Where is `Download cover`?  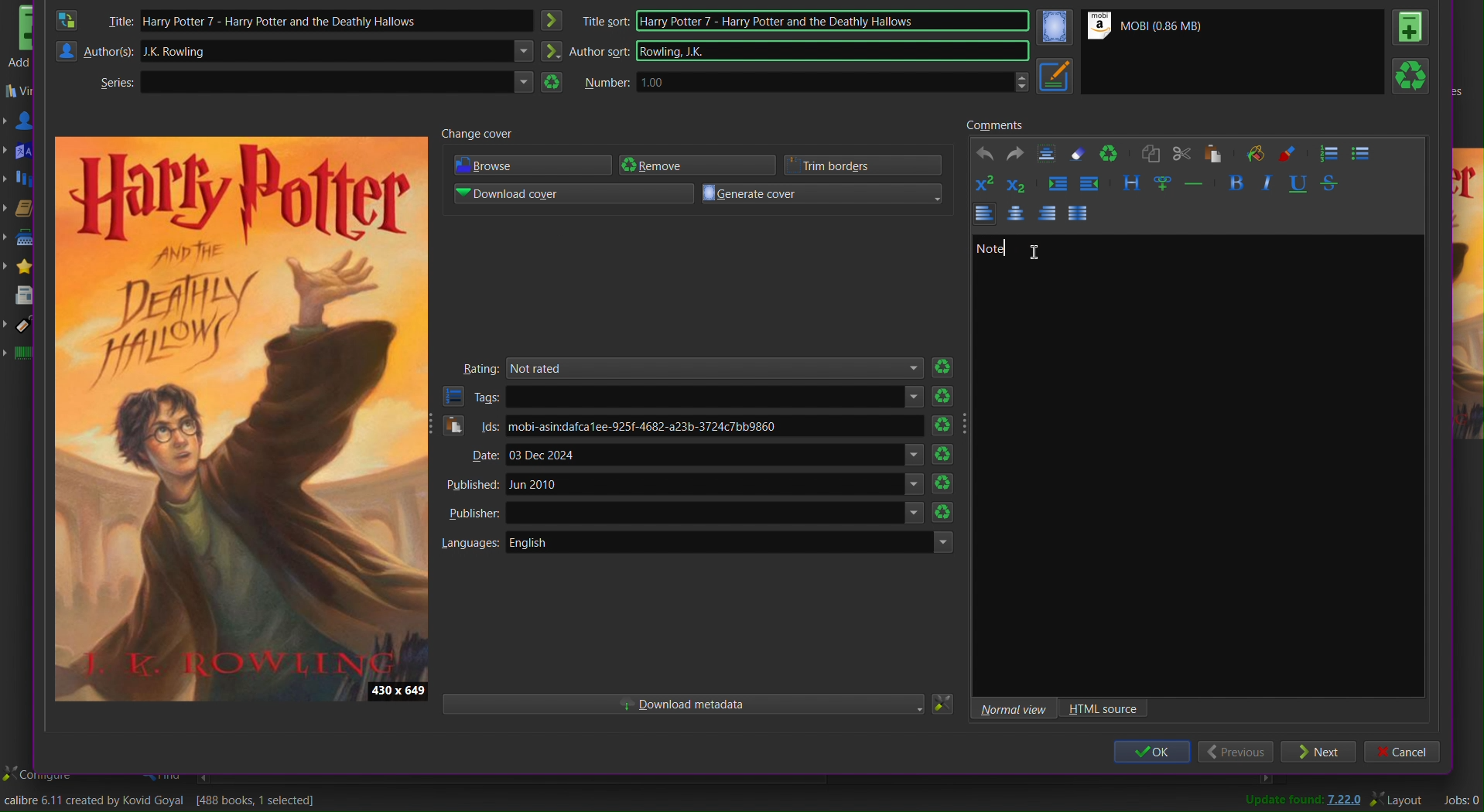 Download cover is located at coordinates (576, 193).